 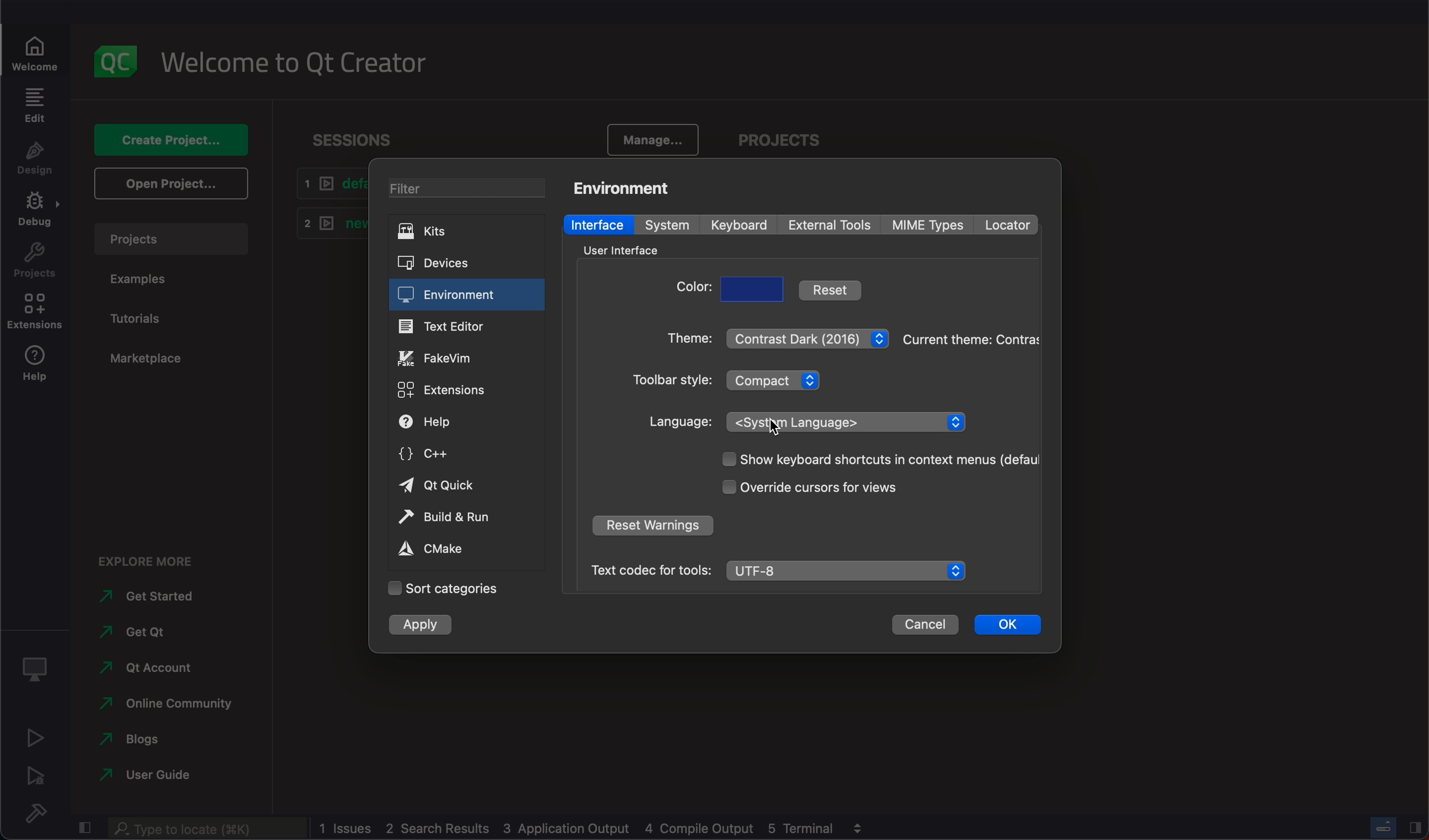 I want to click on logs, so click(x=578, y=828).